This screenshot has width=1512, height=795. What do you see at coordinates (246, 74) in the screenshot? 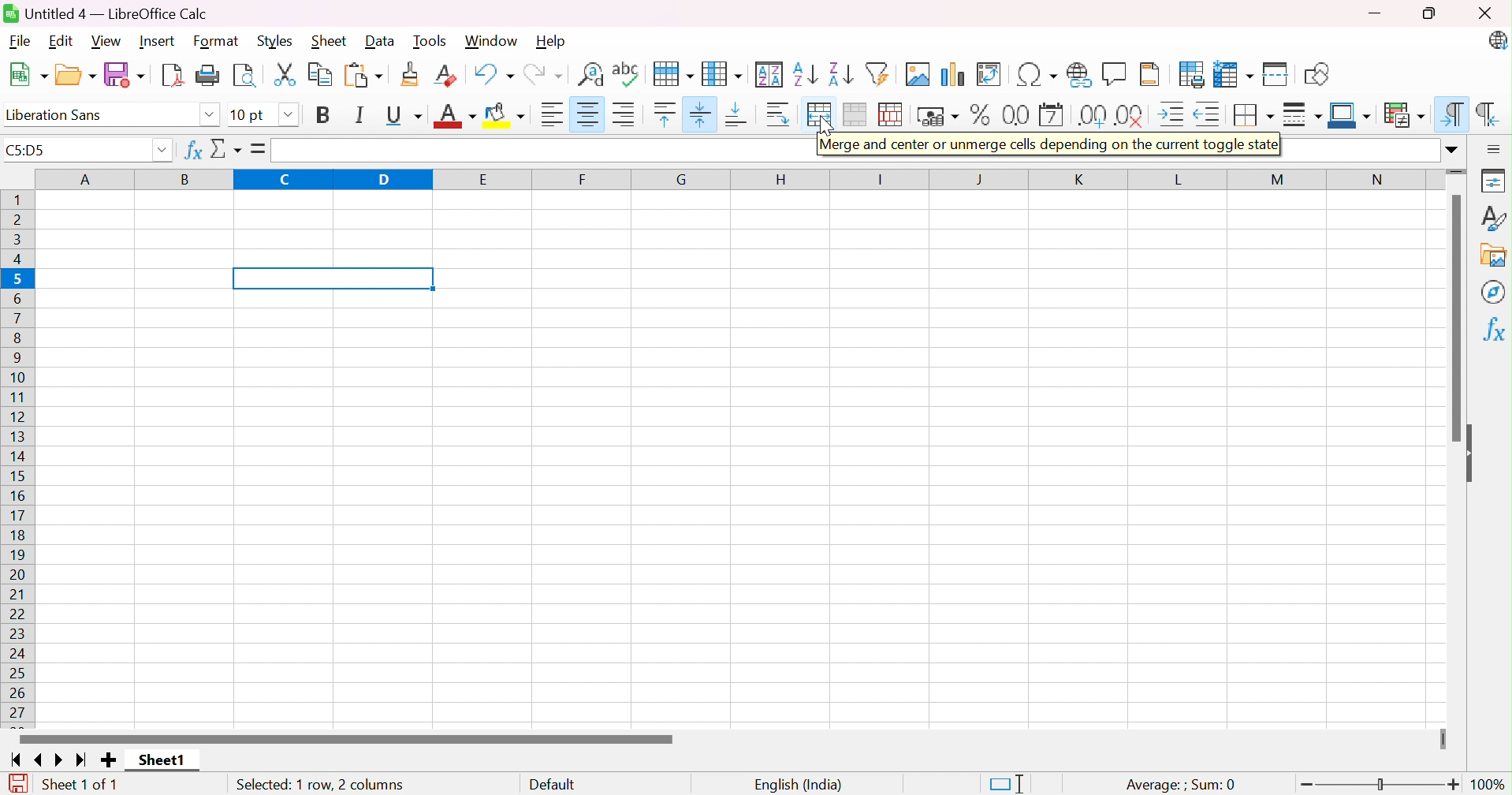
I see `Toggle Print Preview` at bounding box center [246, 74].